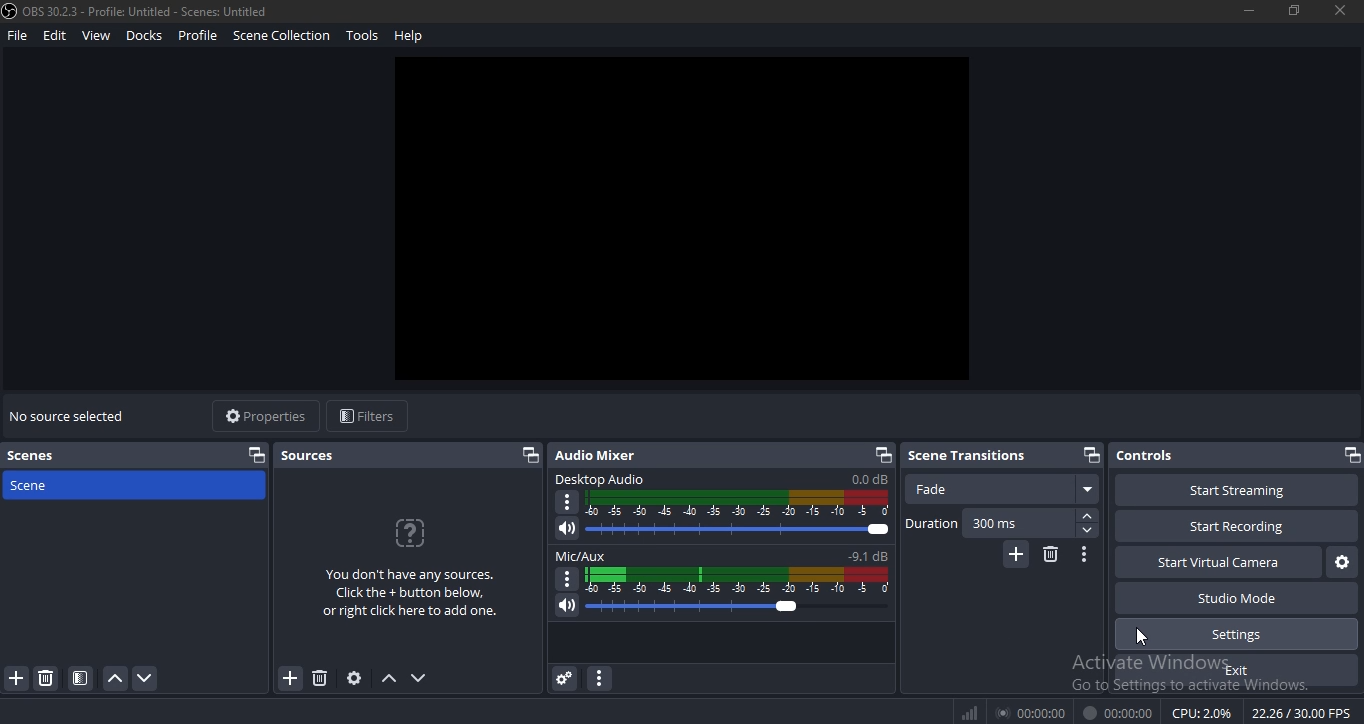 This screenshot has height=724, width=1364. What do you see at coordinates (568, 503) in the screenshot?
I see `` at bounding box center [568, 503].